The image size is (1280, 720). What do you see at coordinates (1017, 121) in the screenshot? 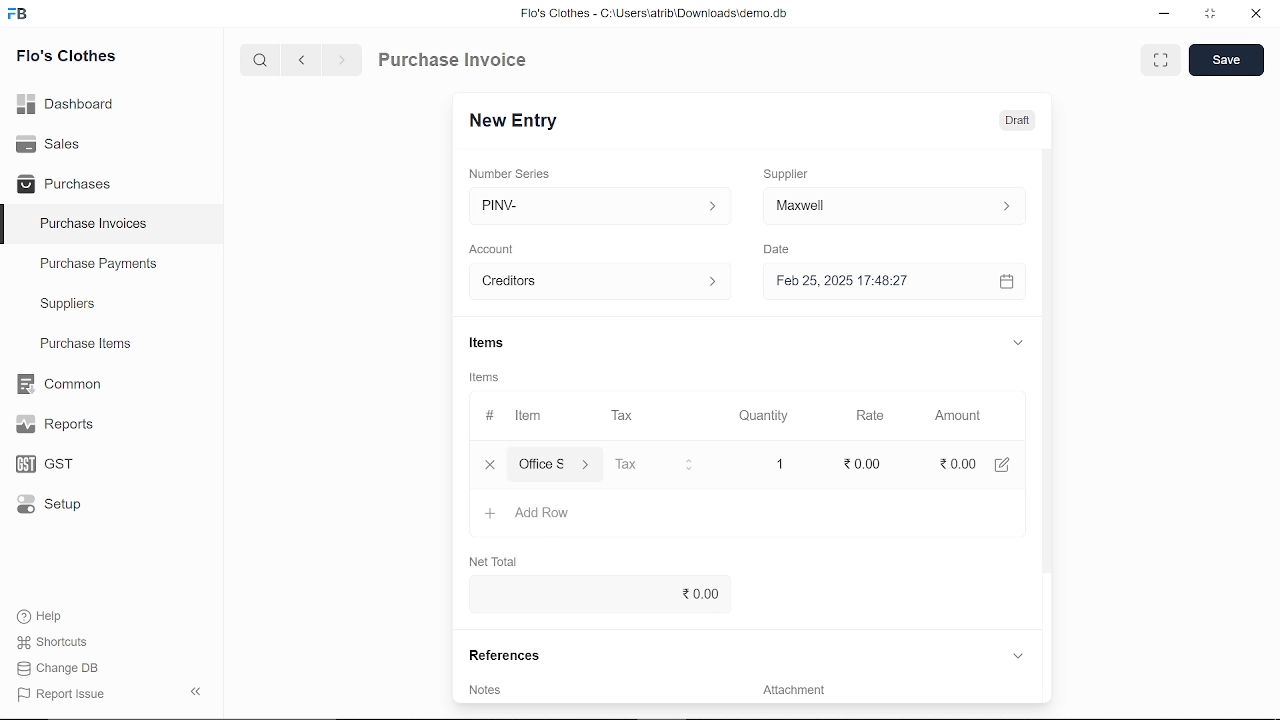
I see `Draft` at bounding box center [1017, 121].